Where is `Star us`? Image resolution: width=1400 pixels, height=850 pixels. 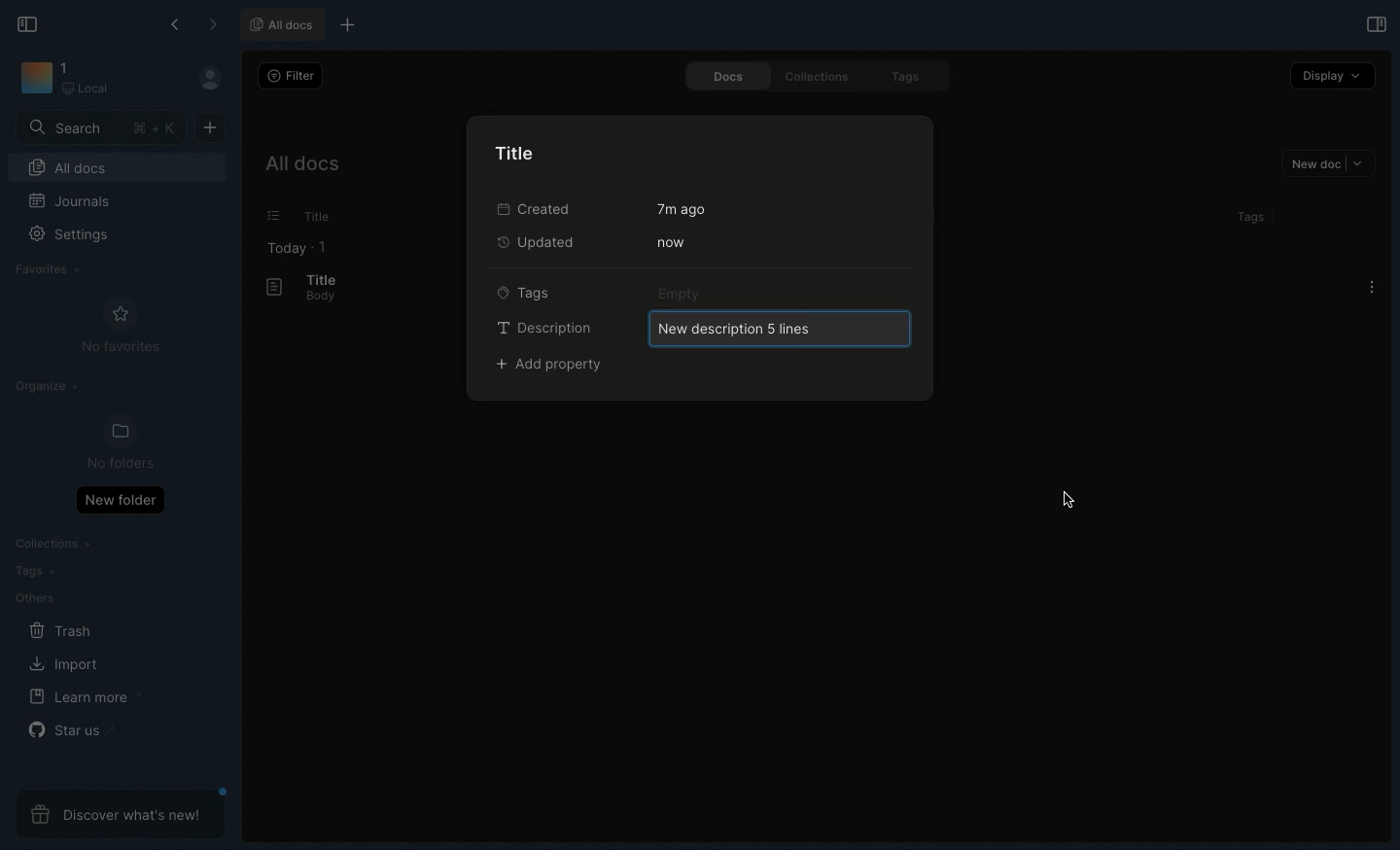 Star us is located at coordinates (69, 729).